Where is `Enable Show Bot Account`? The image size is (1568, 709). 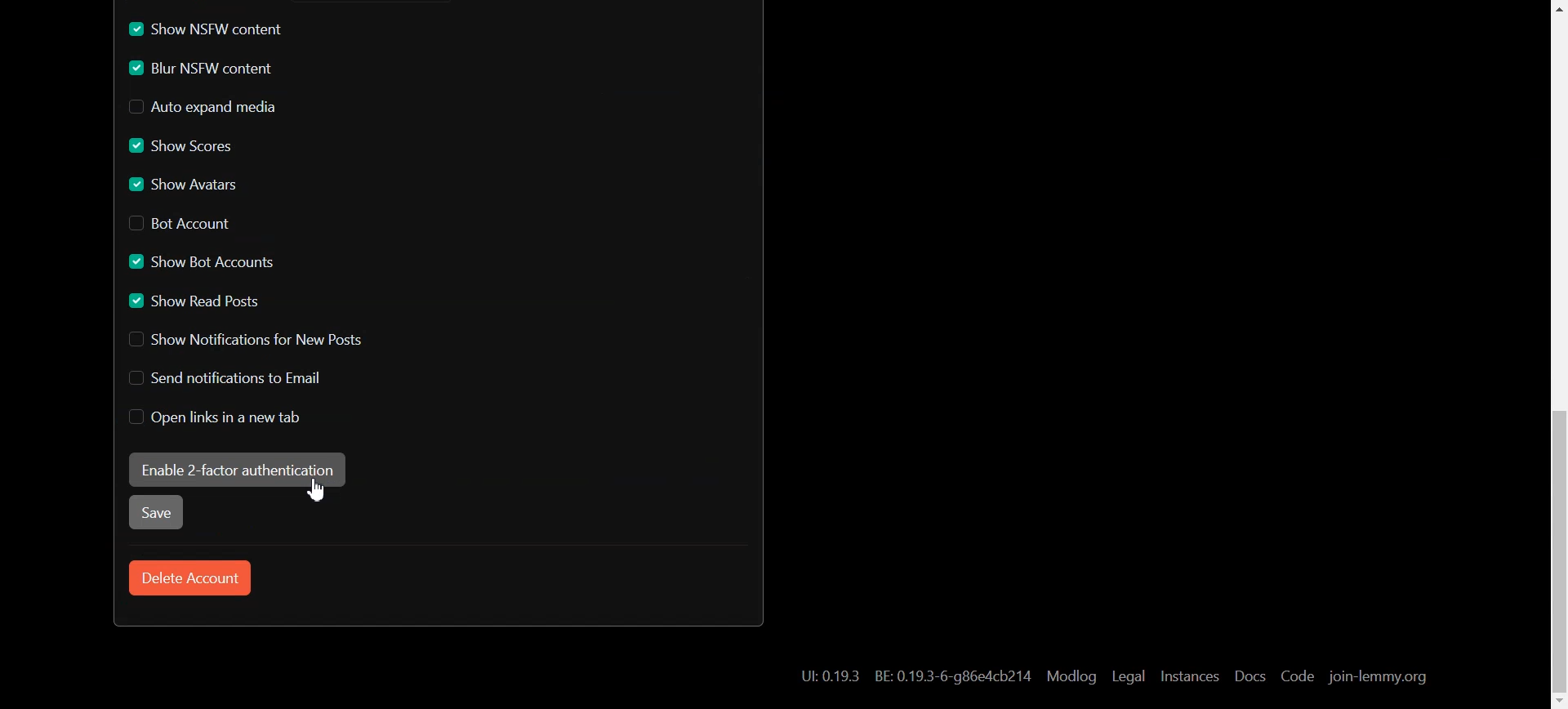
Enable Show Bot Account is located at coordinates (204, 259).